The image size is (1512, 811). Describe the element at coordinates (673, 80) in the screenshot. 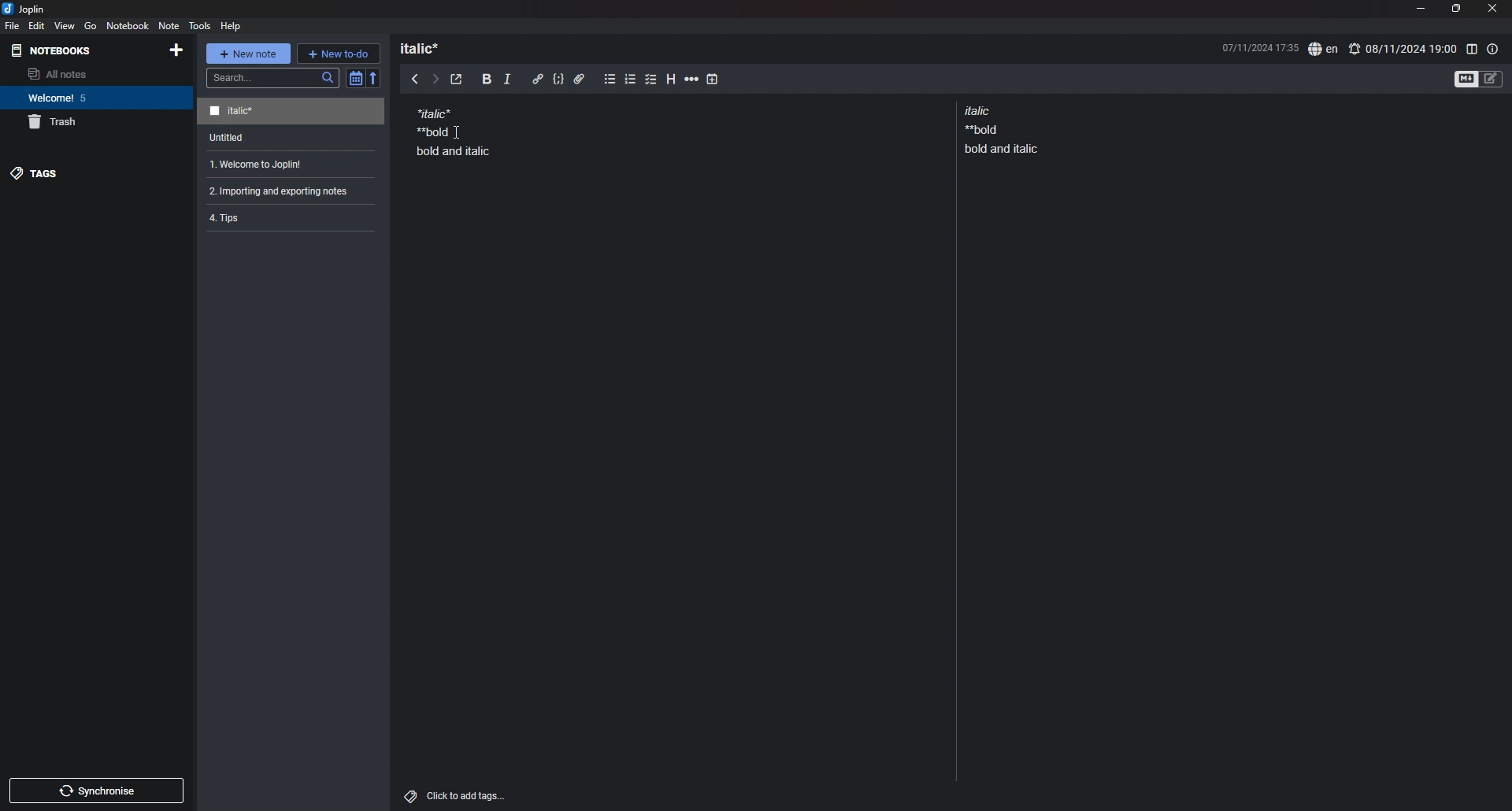

I see `heading` at that location.